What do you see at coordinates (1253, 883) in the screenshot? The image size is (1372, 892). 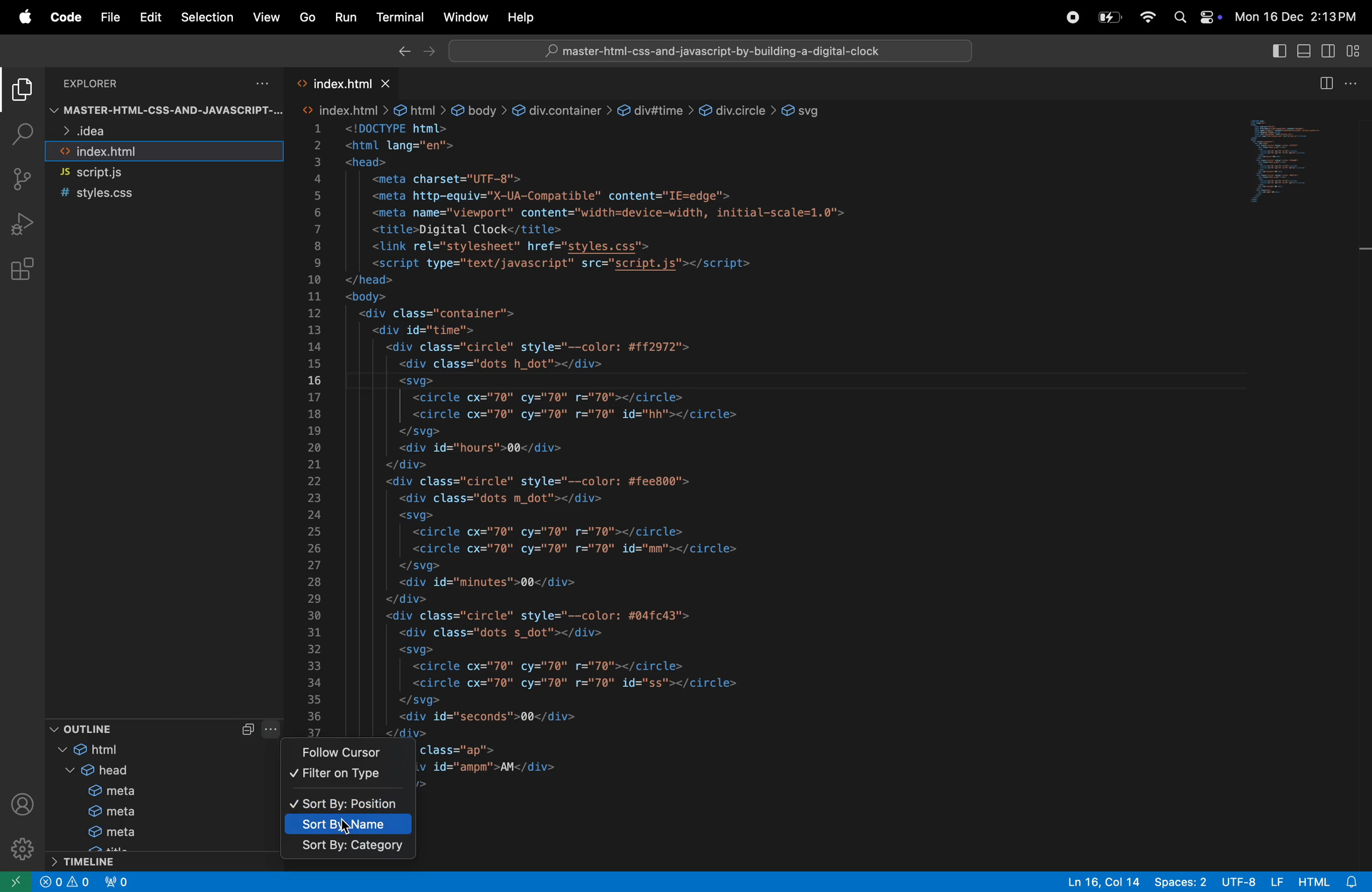 I see `utf 8` at bounding box center [1253, 883].